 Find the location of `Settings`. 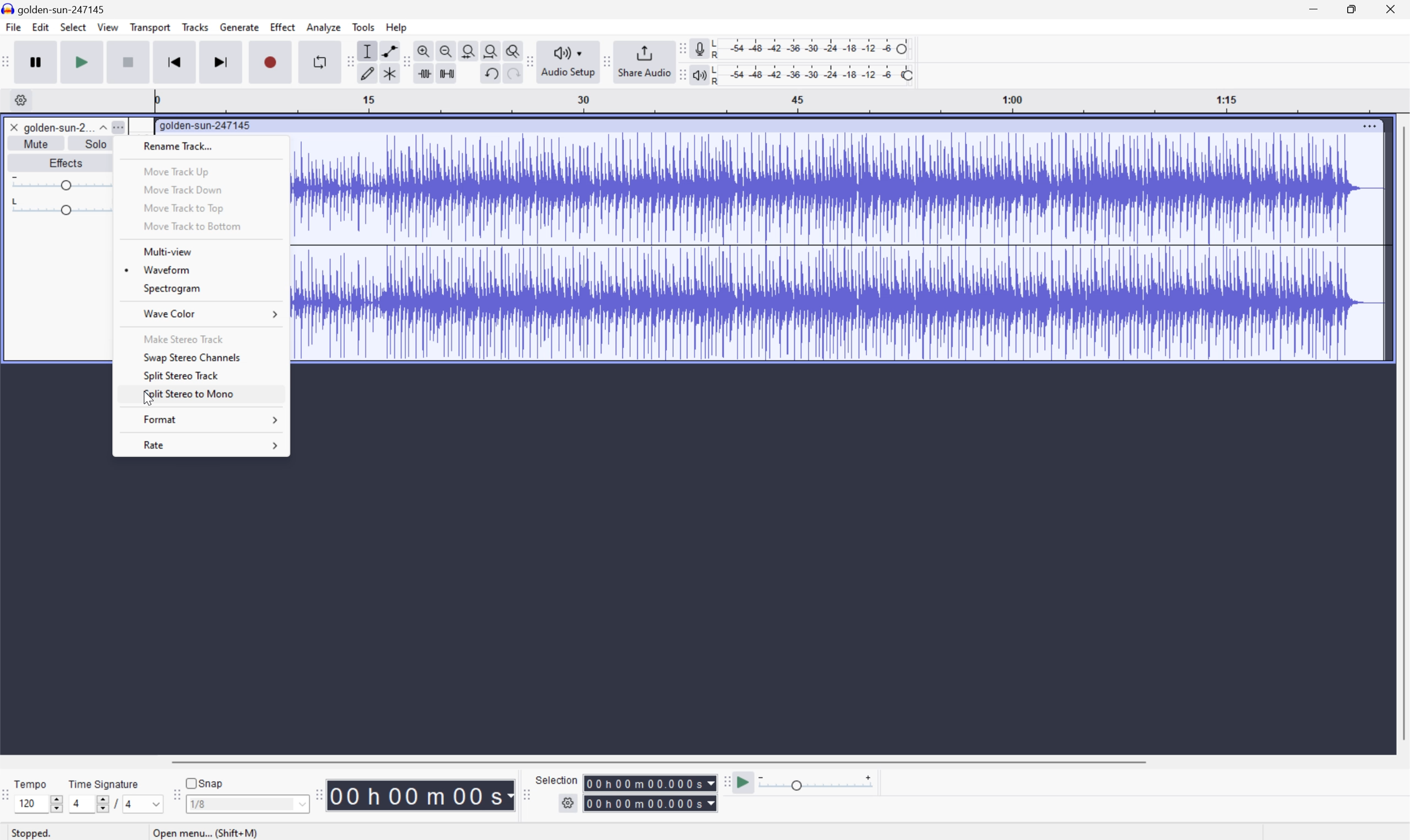

Settings is located at coordinates (18, 100).